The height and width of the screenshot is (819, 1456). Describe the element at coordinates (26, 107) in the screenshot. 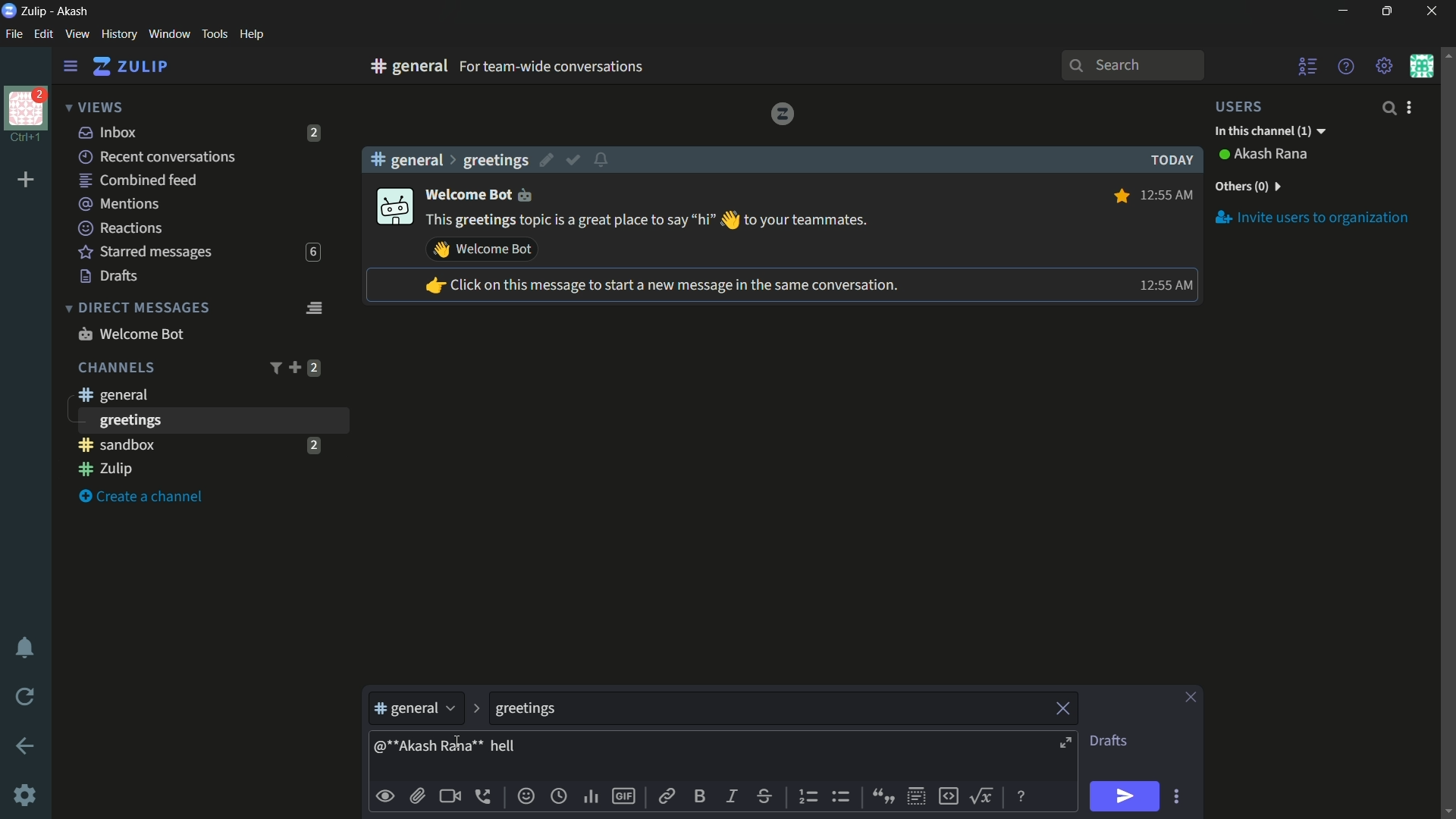

I see `profile` at that location.